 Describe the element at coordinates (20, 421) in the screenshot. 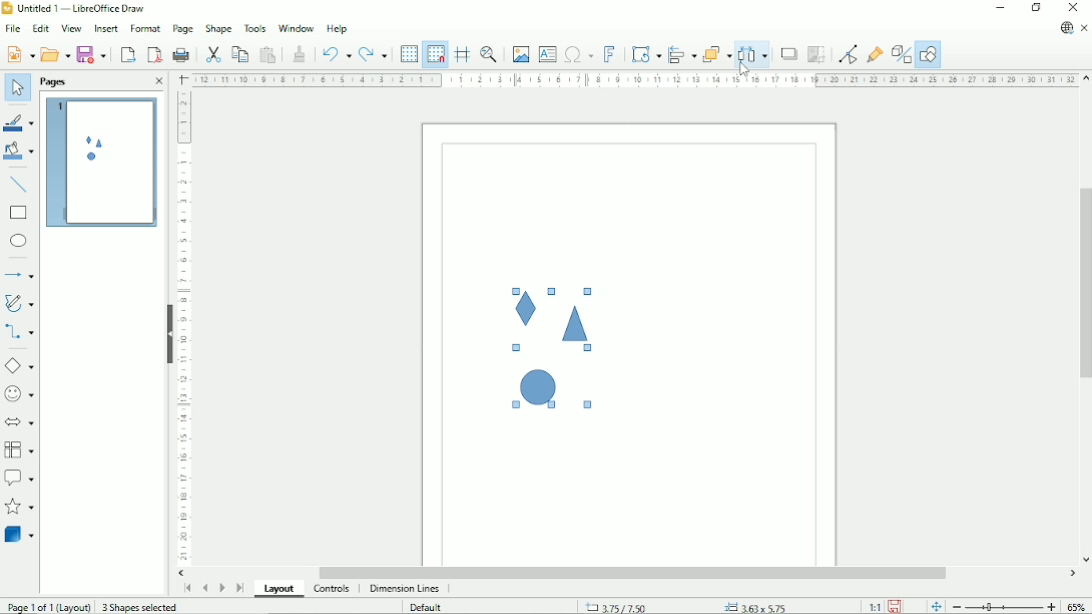

I see `Block arrows` at that location.